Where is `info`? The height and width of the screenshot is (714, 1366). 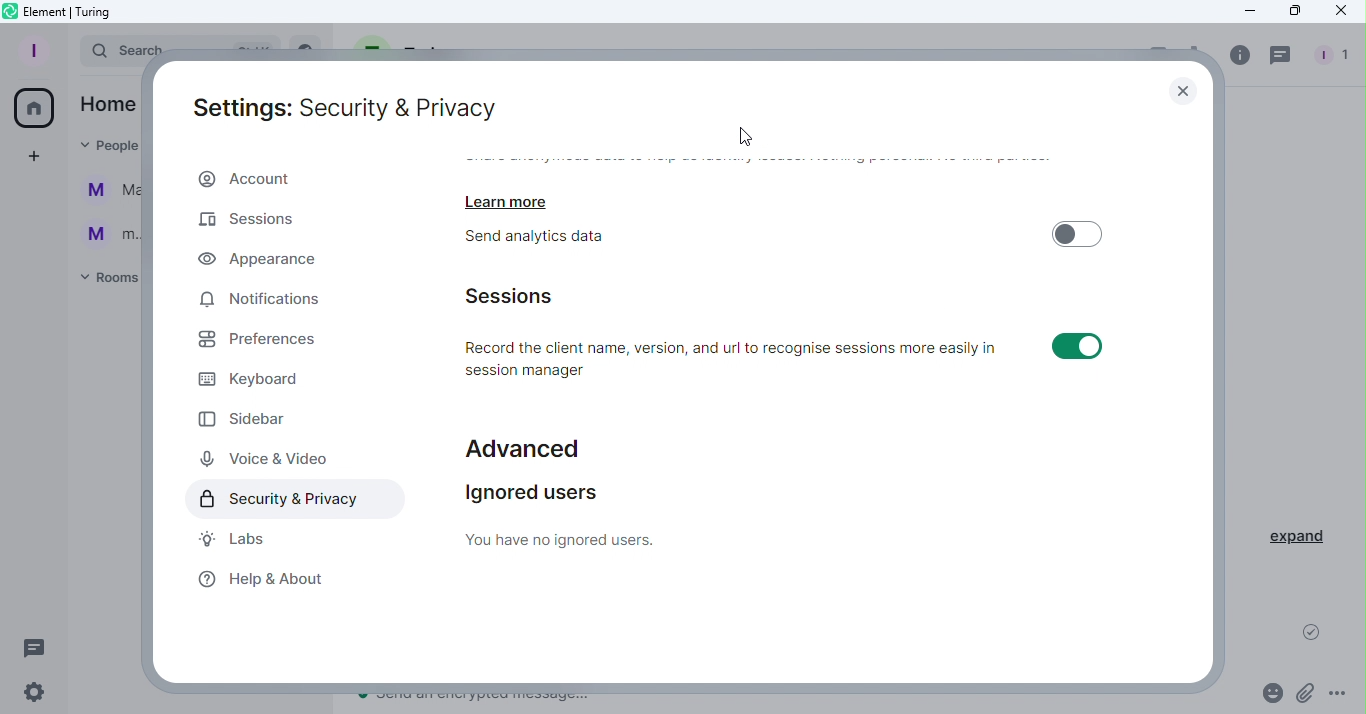
info is located at coordinates (1235, 55).